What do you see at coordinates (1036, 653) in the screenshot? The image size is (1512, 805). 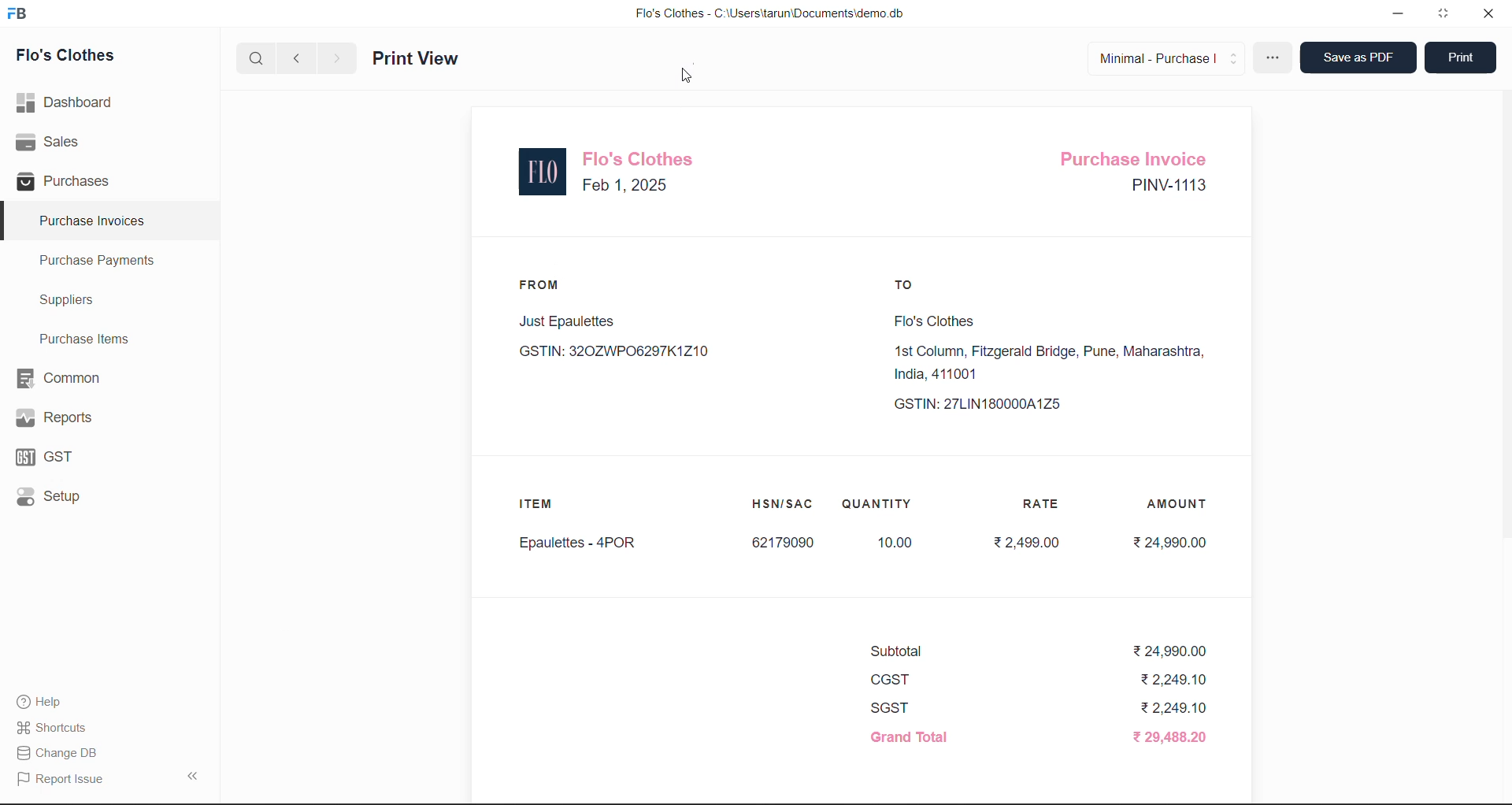 I see `Subtotal ₹24,990.00` at bounding box center [1036, 653].